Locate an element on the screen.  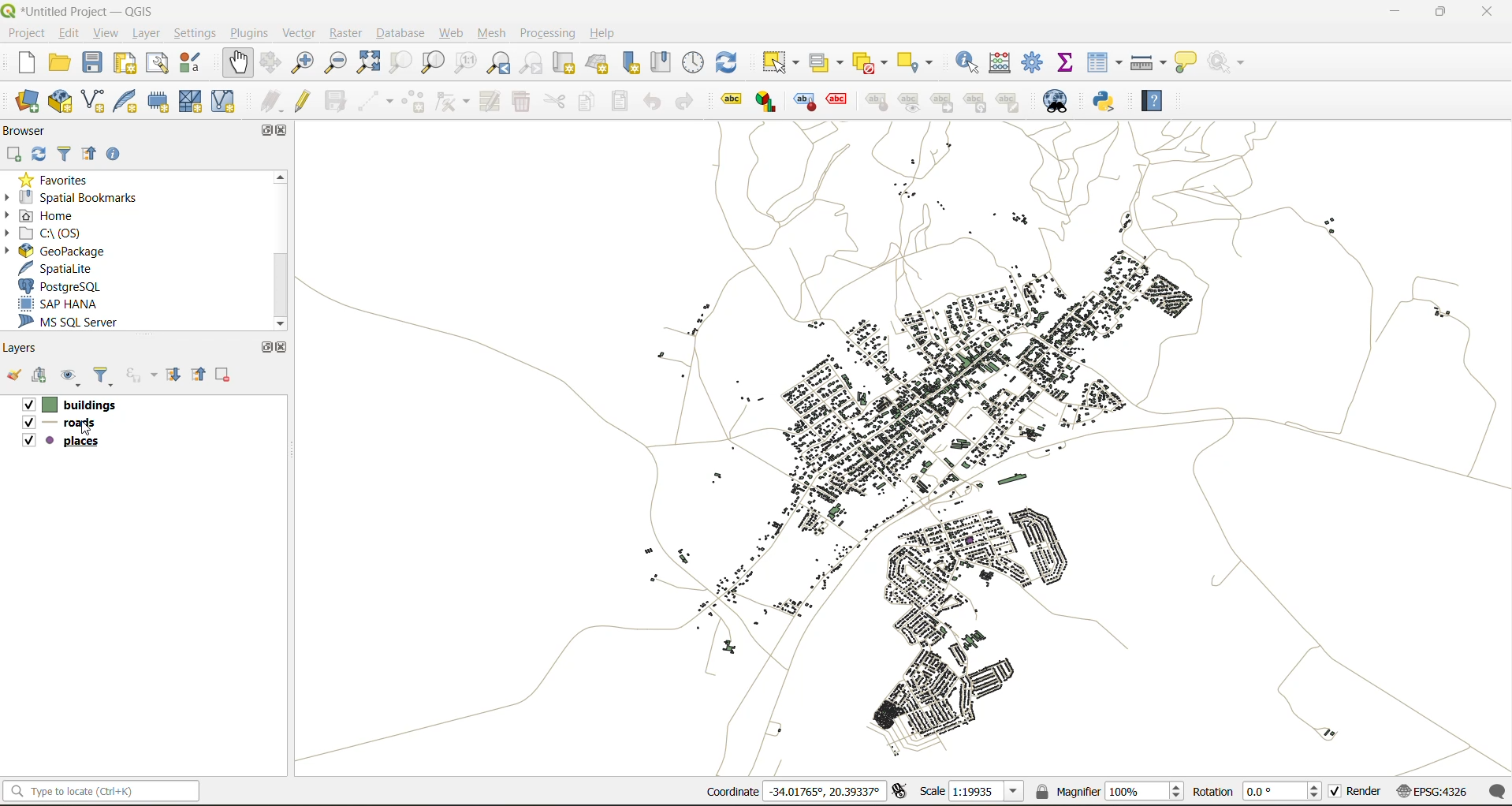
move a label,diagram or callout is located at coordinates (944, 102).